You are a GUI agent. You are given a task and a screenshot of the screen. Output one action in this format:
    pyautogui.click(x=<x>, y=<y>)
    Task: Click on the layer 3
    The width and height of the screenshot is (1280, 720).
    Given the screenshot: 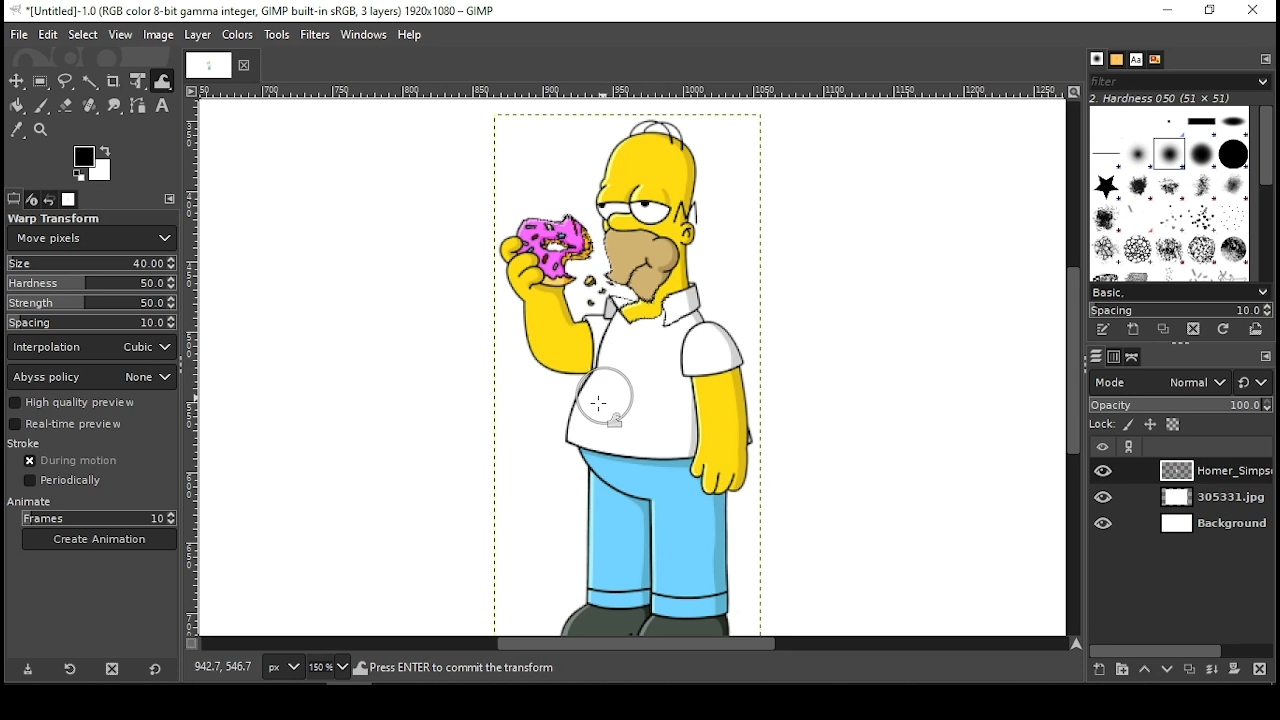 What is the action you would take?
    pyautogui.click(x=1215, y=525)
    